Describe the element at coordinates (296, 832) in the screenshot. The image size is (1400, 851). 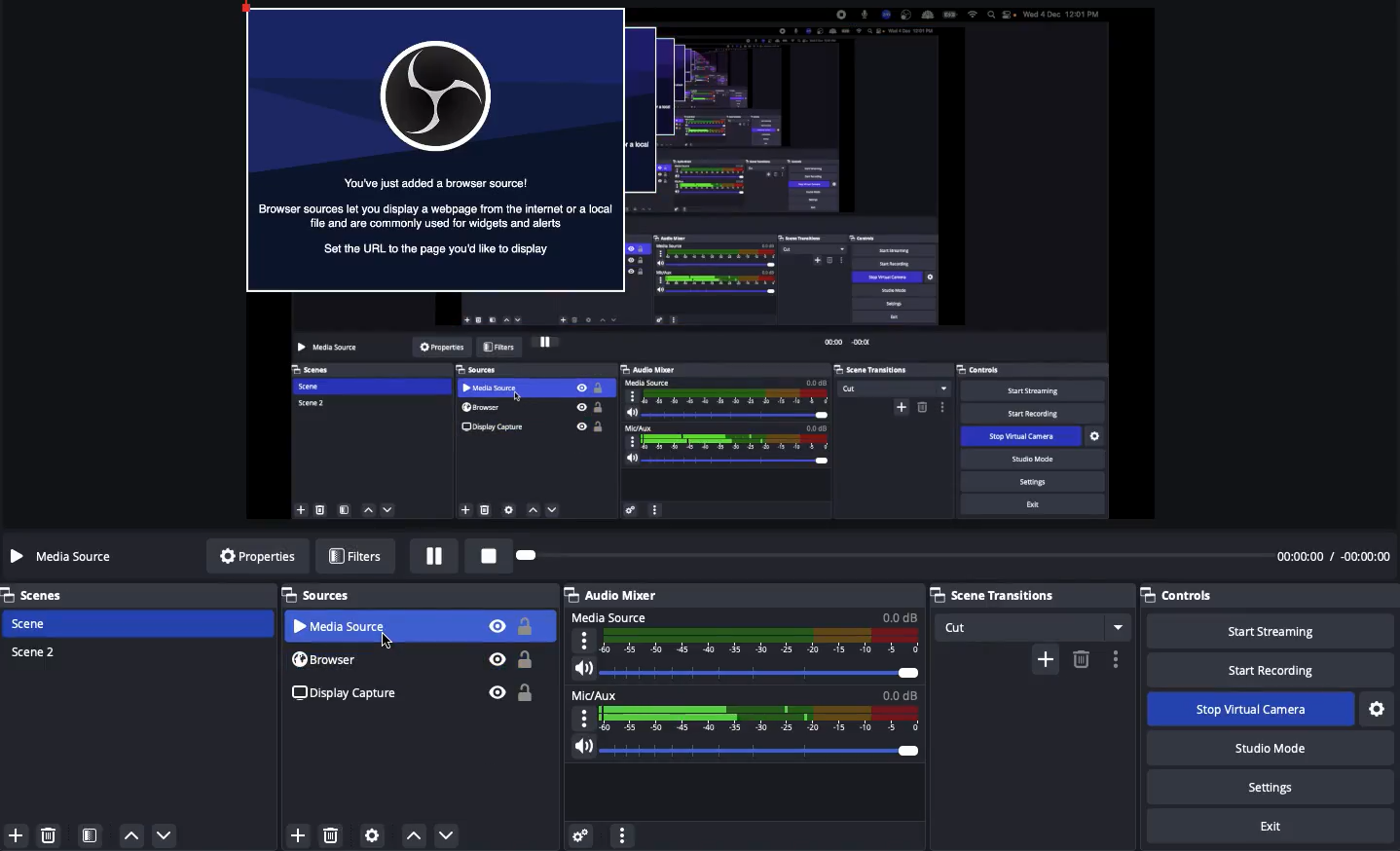
I see `Add` at that location.